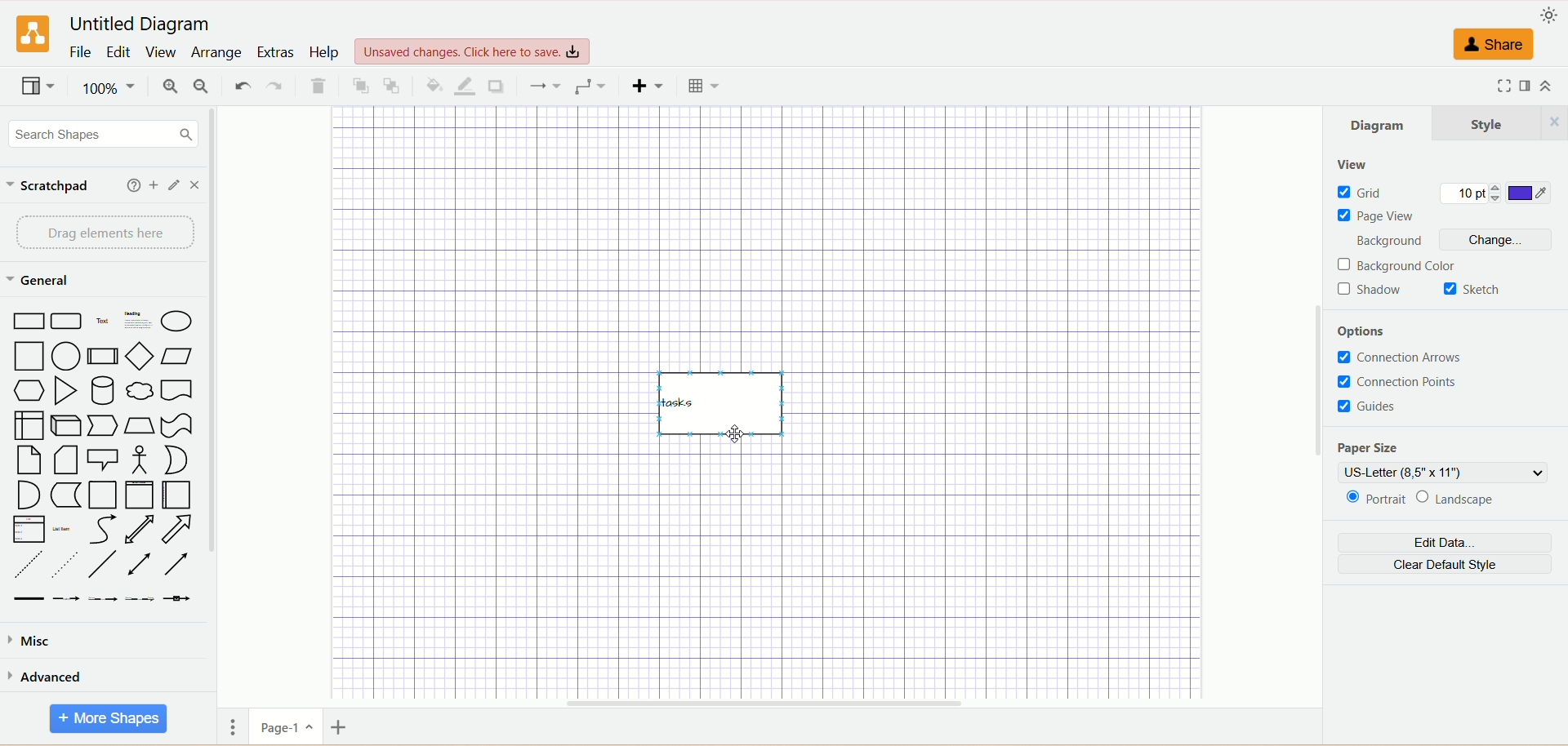  I want to click on Square, so click(29, 357).